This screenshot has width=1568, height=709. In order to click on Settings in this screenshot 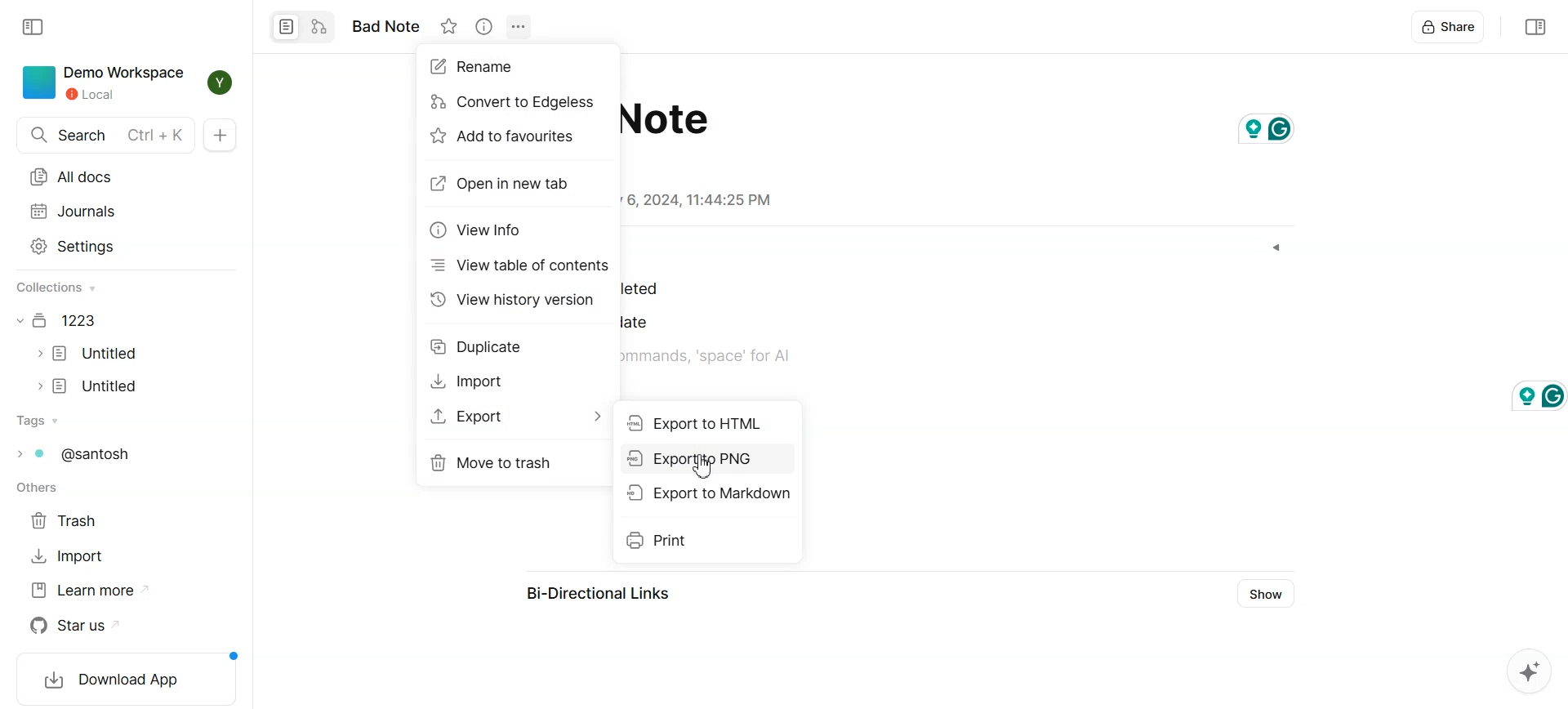, I will do `click(519, 26)`.